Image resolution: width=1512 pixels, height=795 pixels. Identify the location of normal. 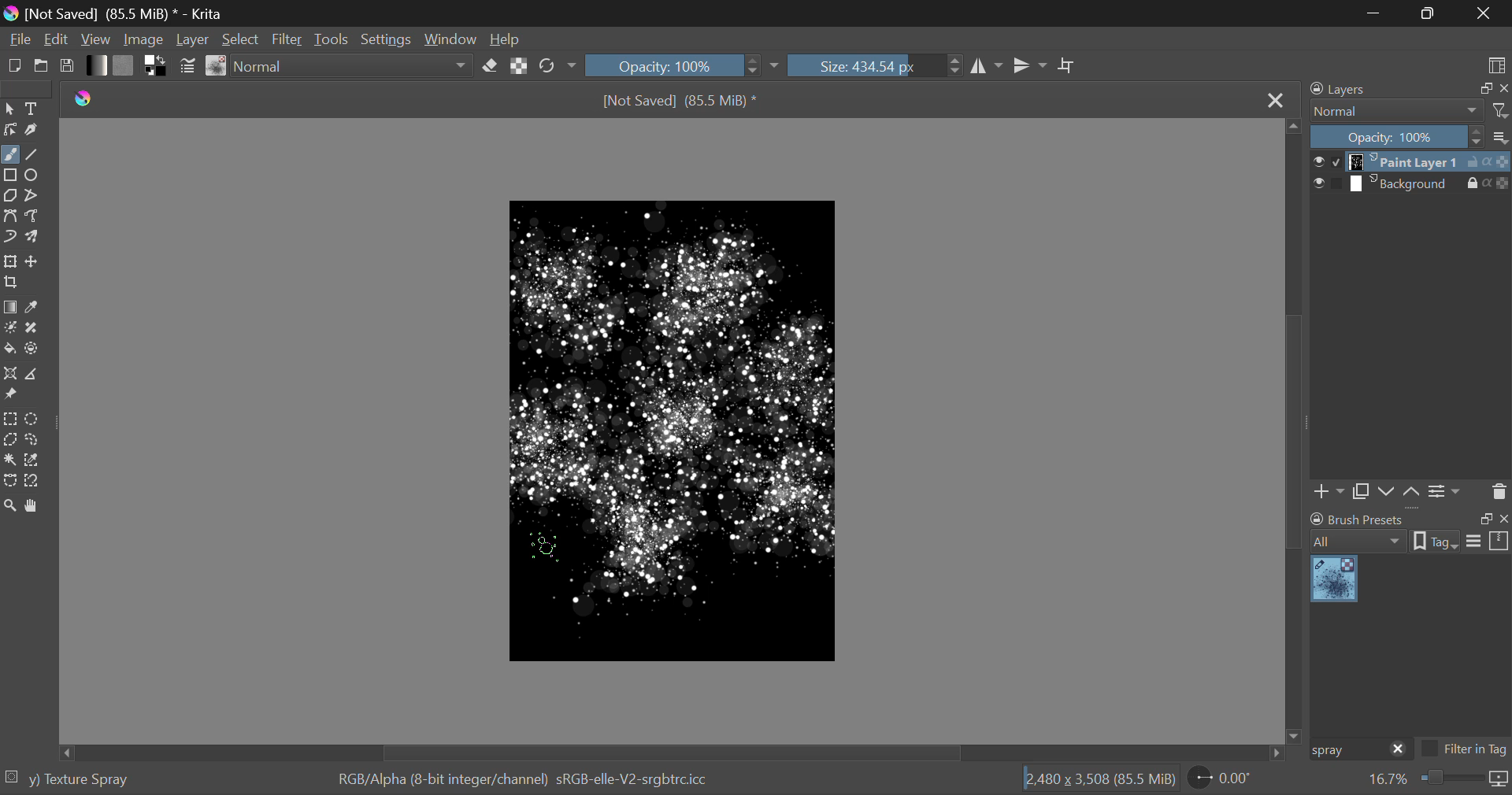
(1397, 111).